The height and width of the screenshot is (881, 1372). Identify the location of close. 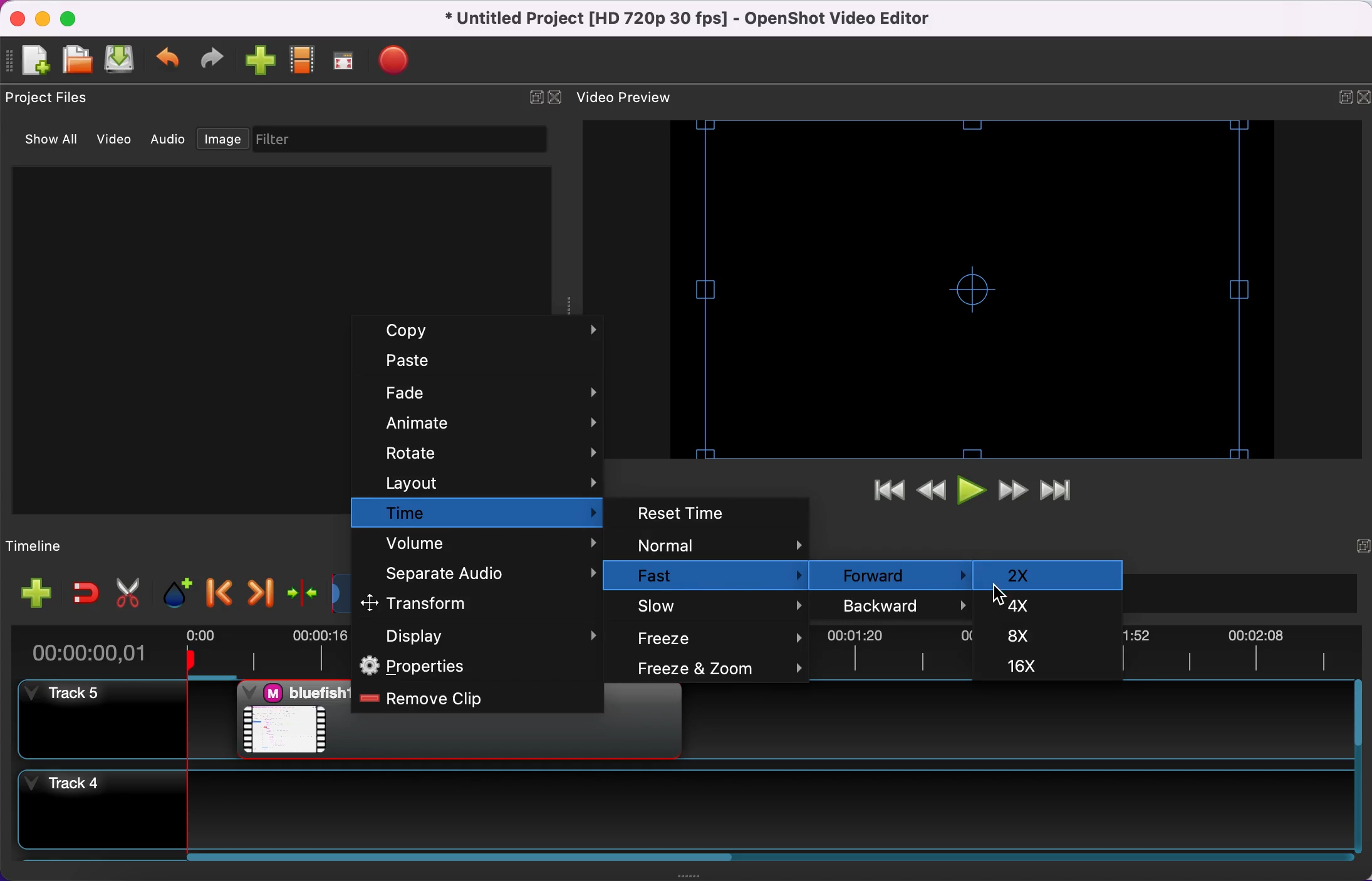
(1363, 98).